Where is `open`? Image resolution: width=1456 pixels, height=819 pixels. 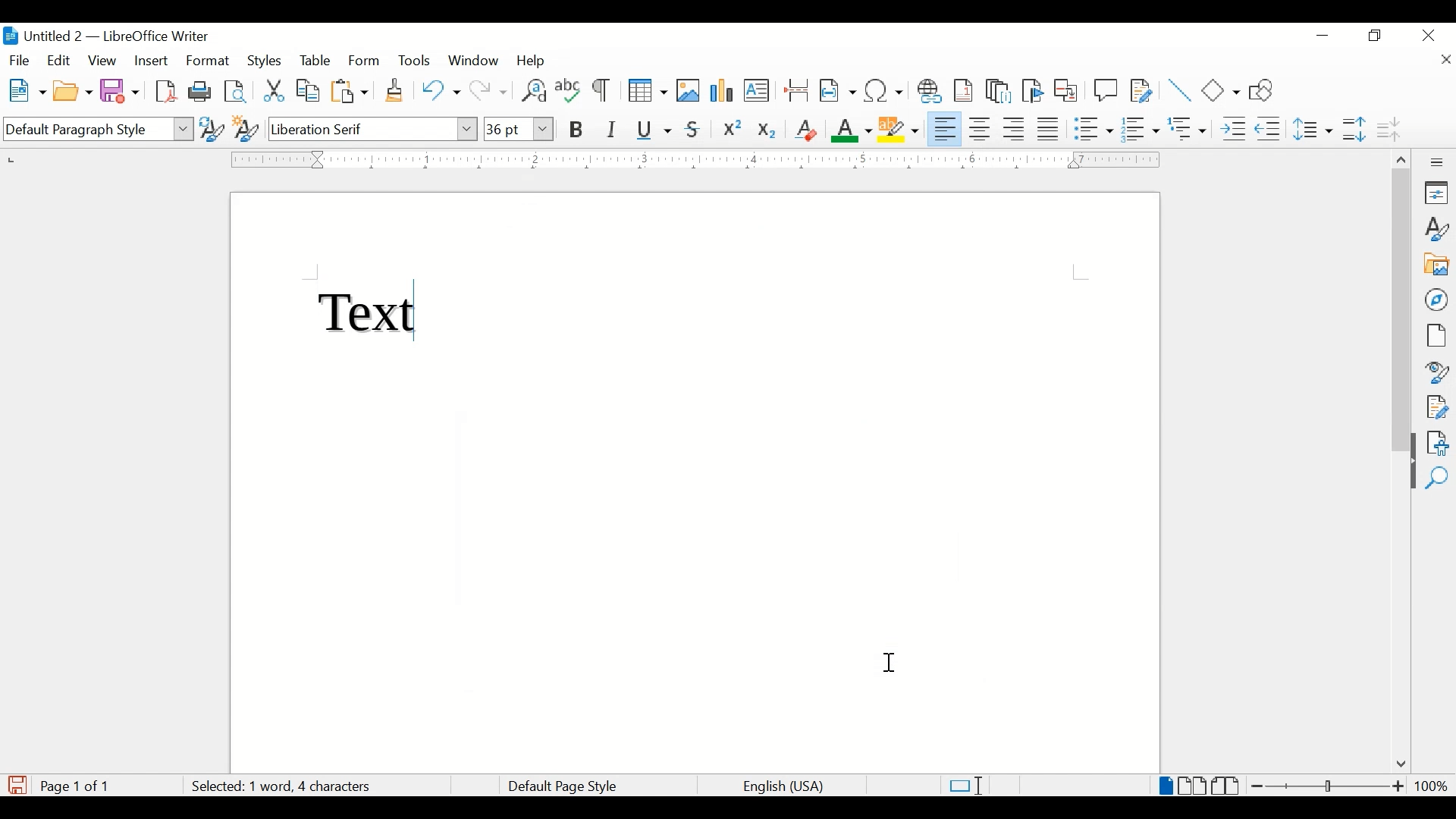 open is located at coordinates (72, 92).